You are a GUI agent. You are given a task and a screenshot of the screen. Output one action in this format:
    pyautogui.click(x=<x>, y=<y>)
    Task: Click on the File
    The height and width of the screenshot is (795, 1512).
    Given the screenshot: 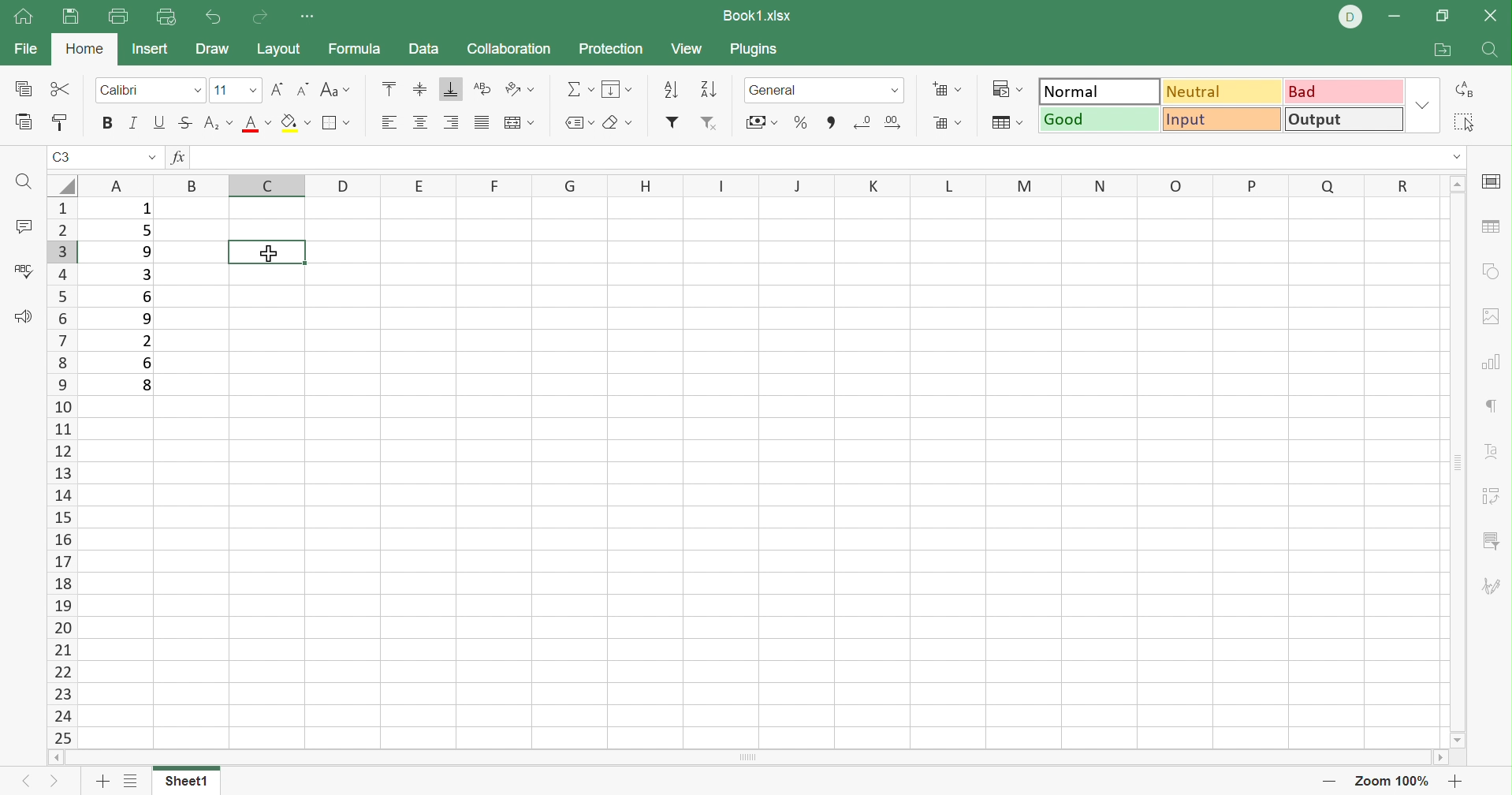 What is the action you would take?
    pyautogui.click(x=26, y=48)
    